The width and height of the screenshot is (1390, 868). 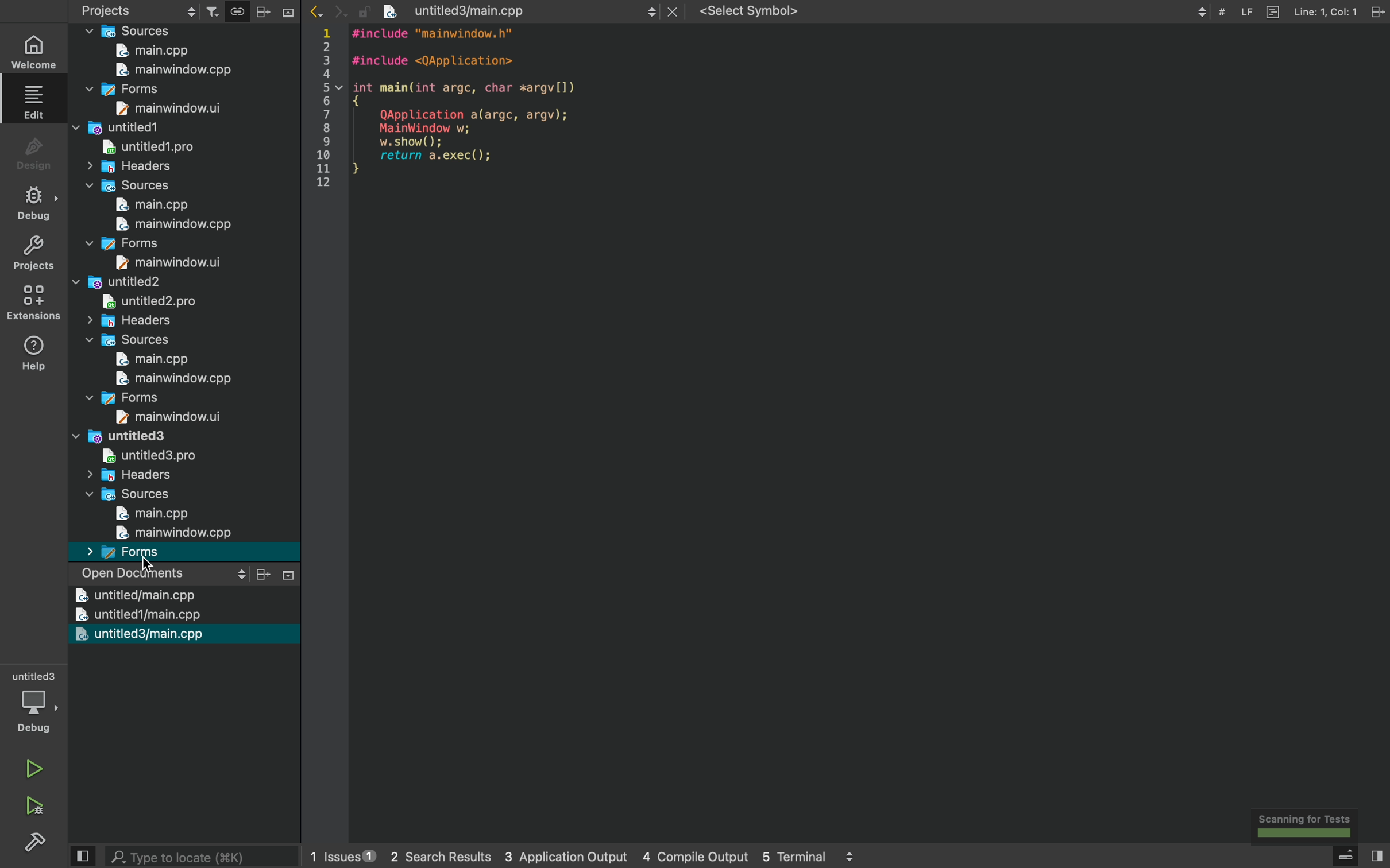 I want to click on Sources, so click(x=123, y=342).